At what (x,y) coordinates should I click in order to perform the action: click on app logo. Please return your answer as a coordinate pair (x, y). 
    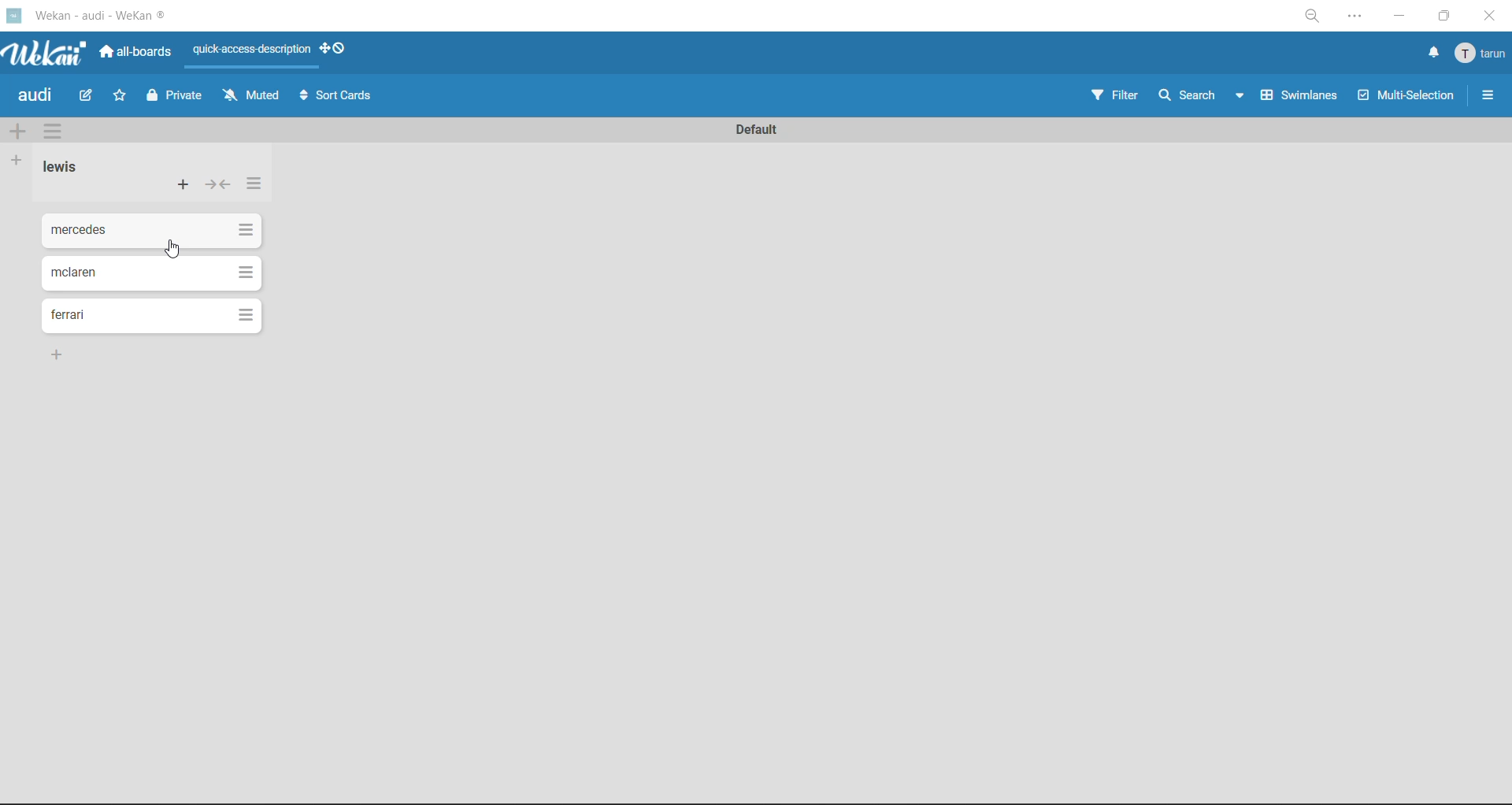
    Looking at the image, I should click on (46, 55).